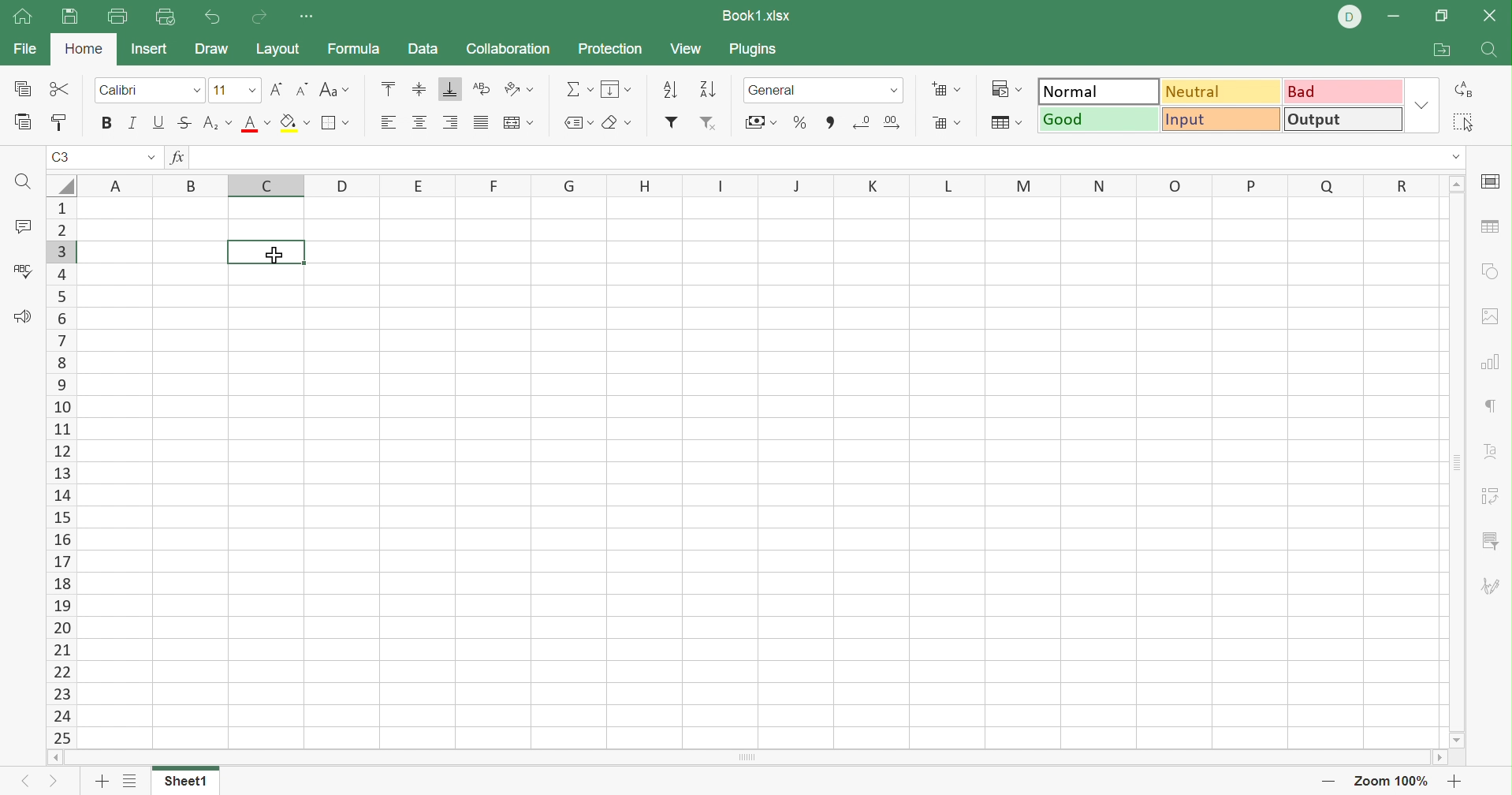  What do you see at coordinates (132, 121) in the screenshot?
I see `Italic` at bounding box center [132, 121].